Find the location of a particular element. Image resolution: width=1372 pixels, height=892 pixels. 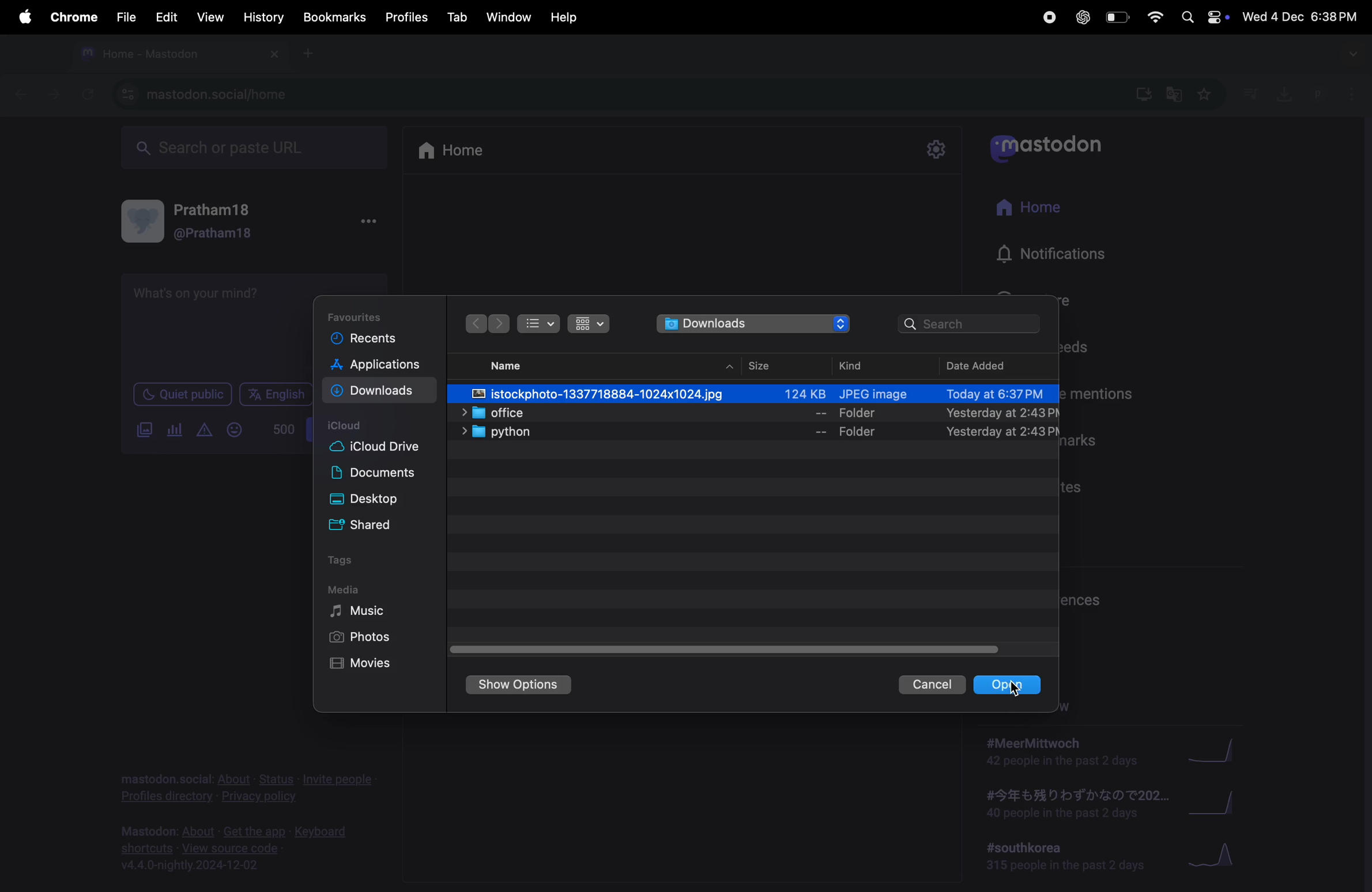

icons is located at coordinates (589, 324).